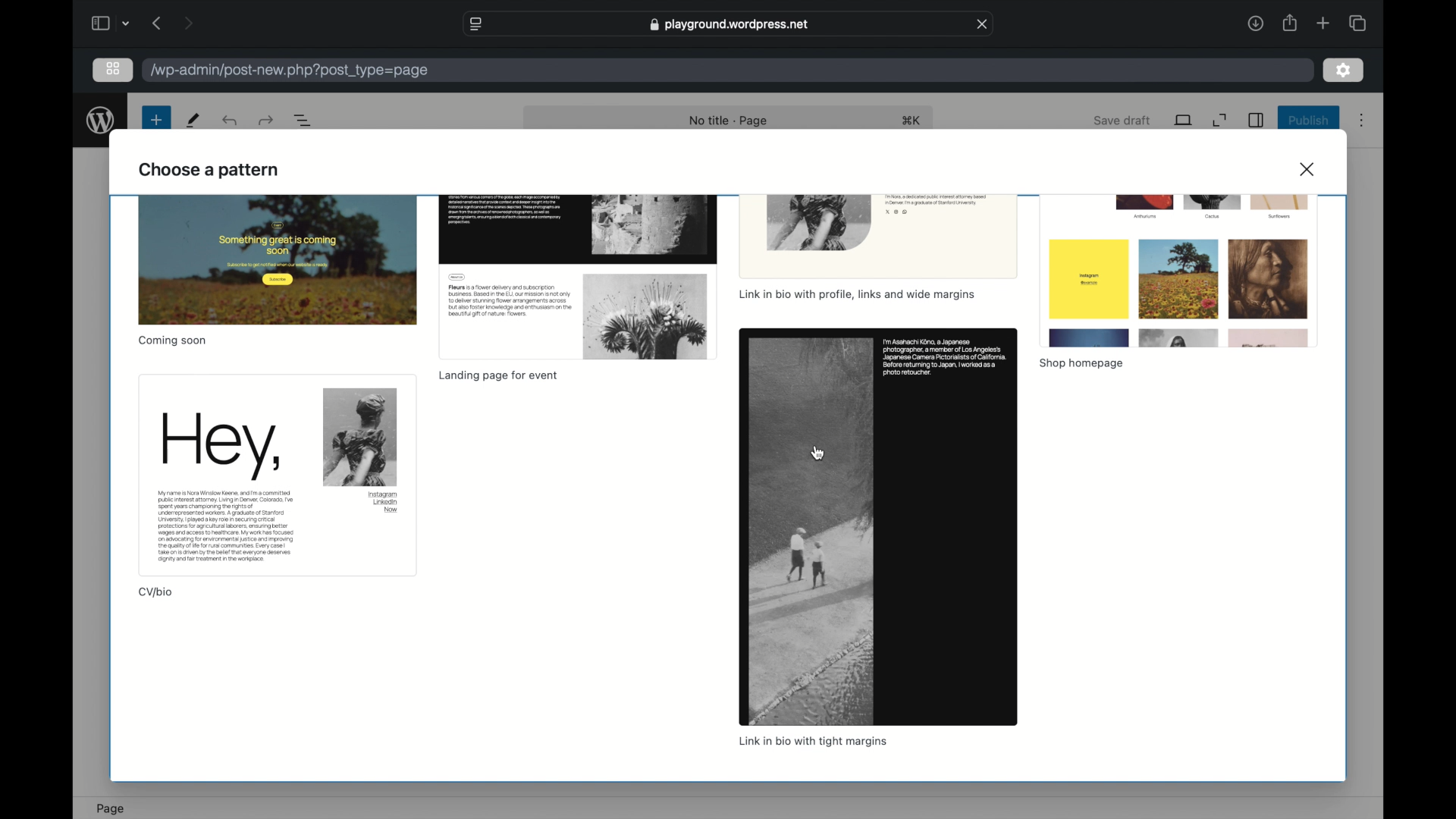 This screenshot has height=819, width=1456. Describe the element at coordinates (1344, 71) in the screenshot. I see `settings` at that location.